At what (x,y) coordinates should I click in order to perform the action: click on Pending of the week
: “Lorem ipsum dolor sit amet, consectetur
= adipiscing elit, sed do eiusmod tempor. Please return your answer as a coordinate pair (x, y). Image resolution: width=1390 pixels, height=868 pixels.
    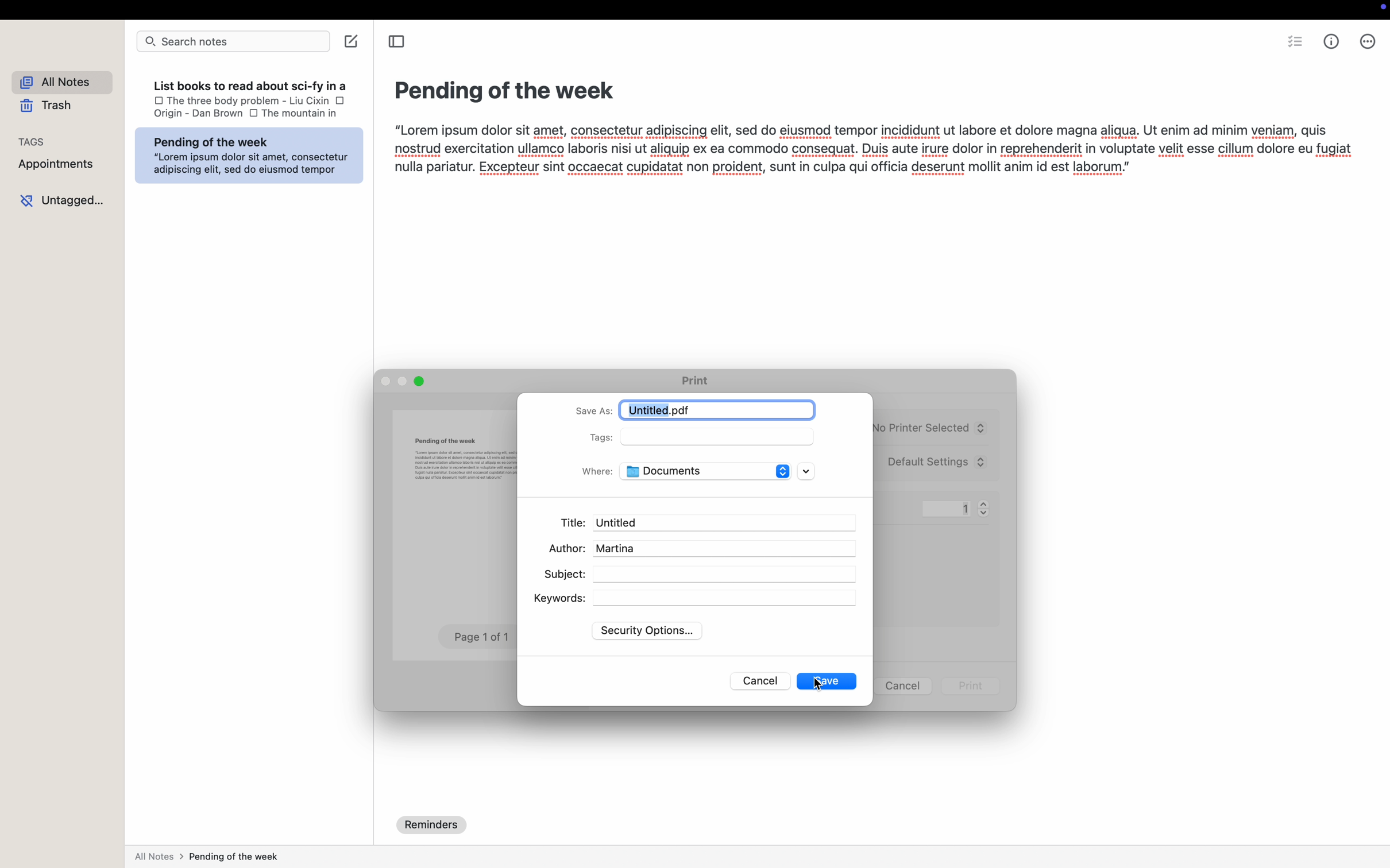
    Looking at the image, I should click on (252, 158).